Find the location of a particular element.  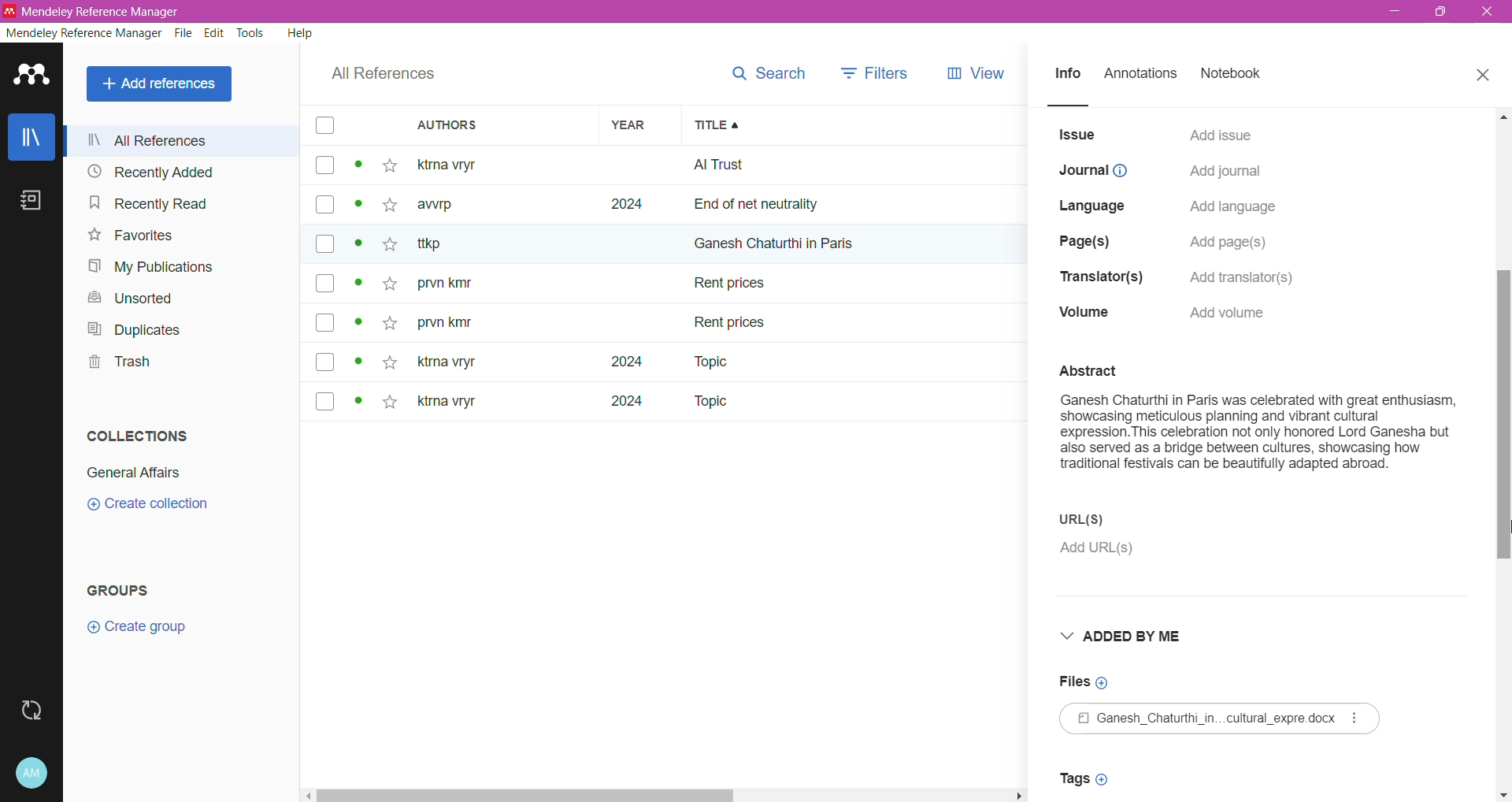

Author names of the references in the Library is located at coordinates (503, 283).